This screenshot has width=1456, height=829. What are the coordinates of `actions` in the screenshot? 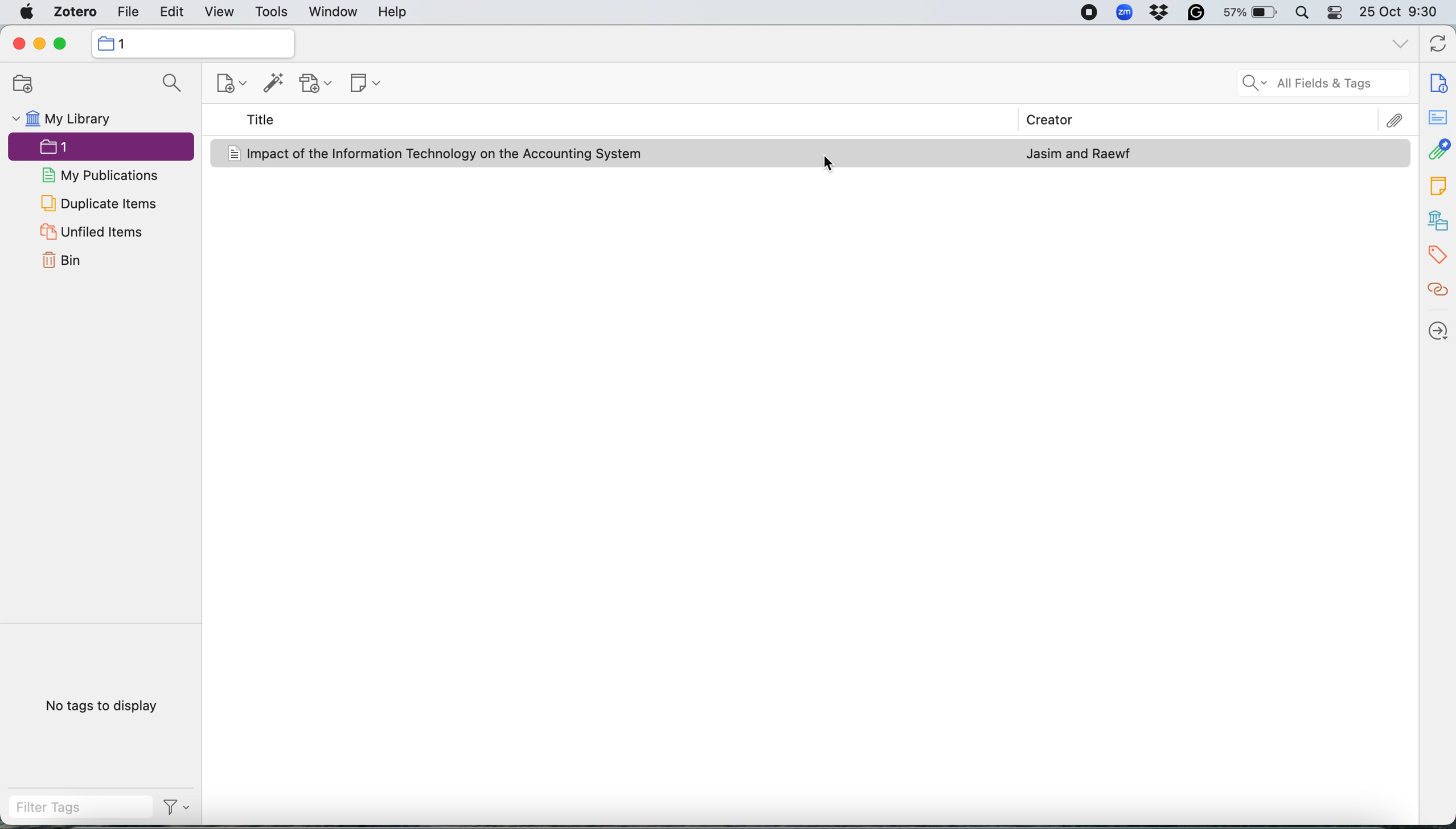 It's located at (175, 810).